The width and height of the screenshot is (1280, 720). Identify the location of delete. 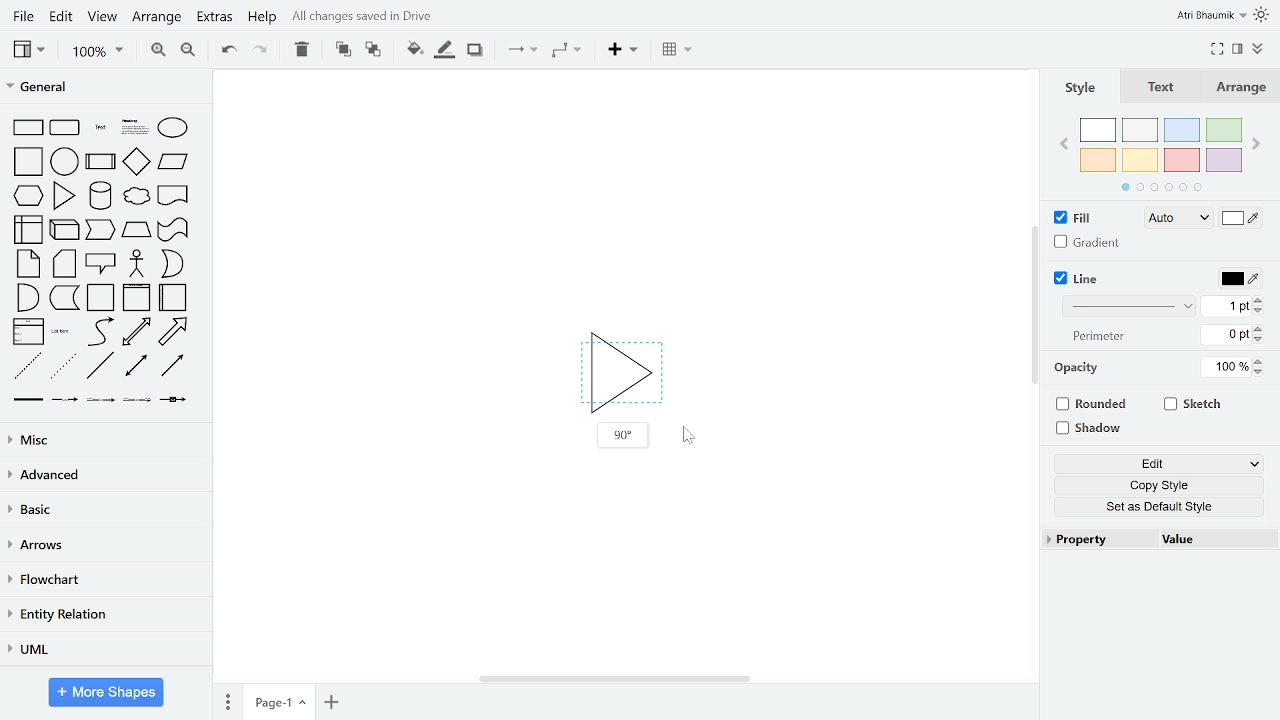
(302, 49).